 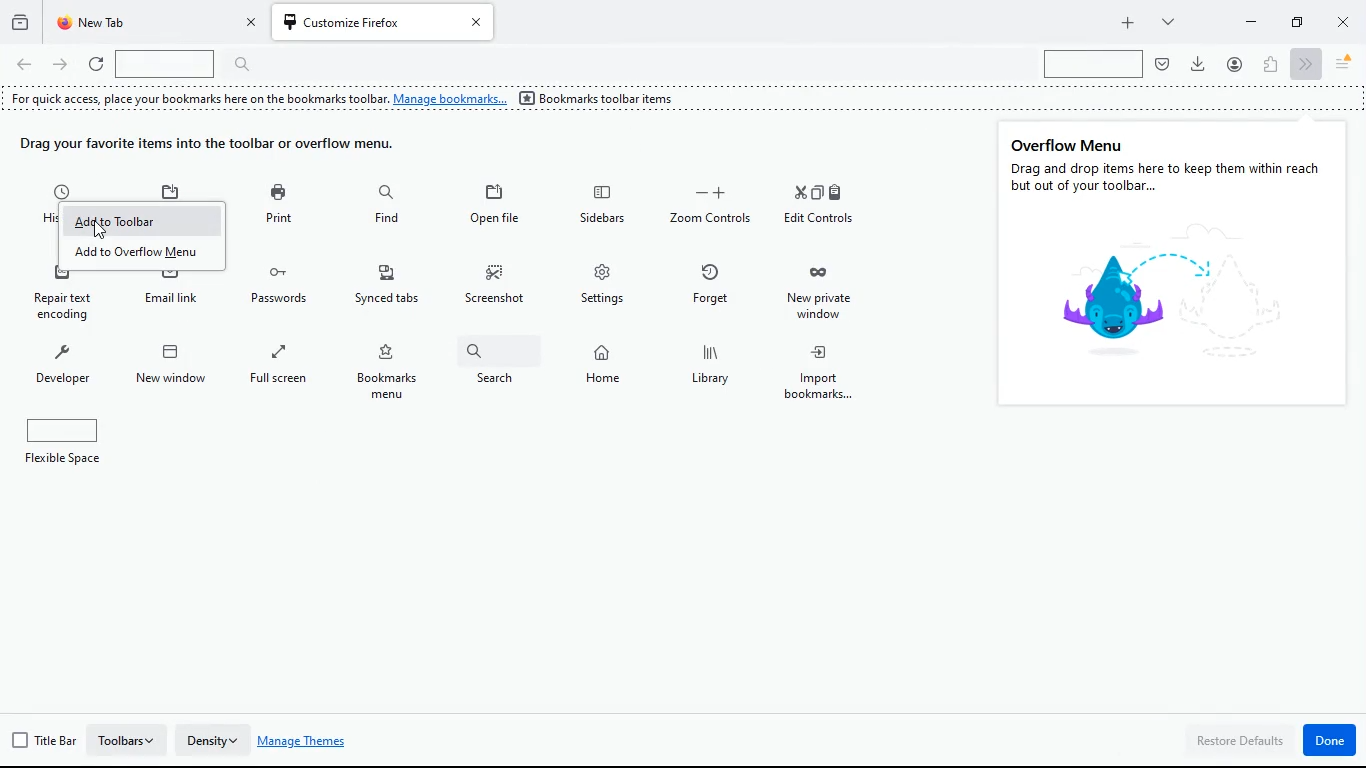 I want to click on next, so click(x=1304, y=63).